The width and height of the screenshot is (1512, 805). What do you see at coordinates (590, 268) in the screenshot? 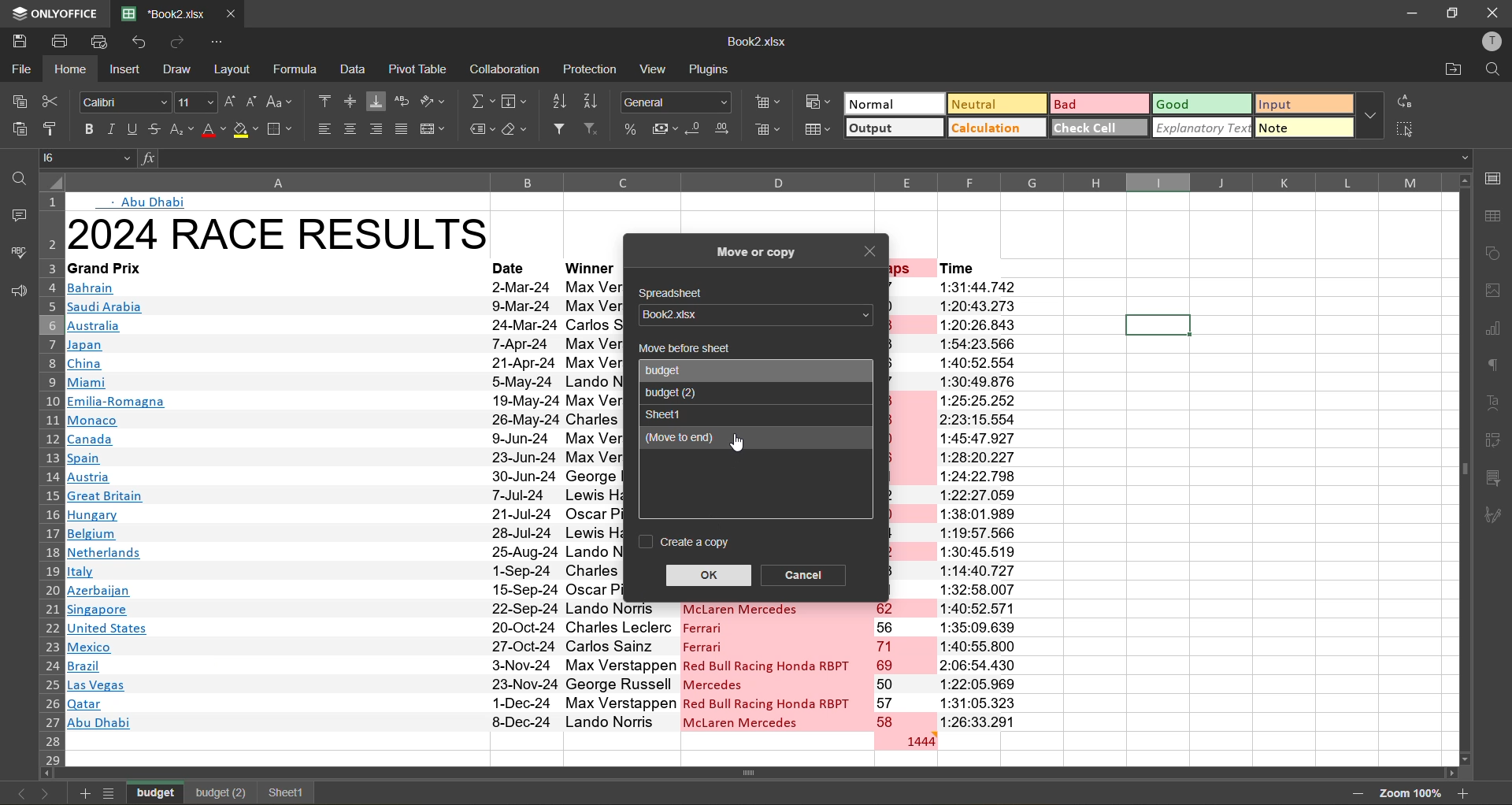
I see `winner` at bounding box center [590, 268].